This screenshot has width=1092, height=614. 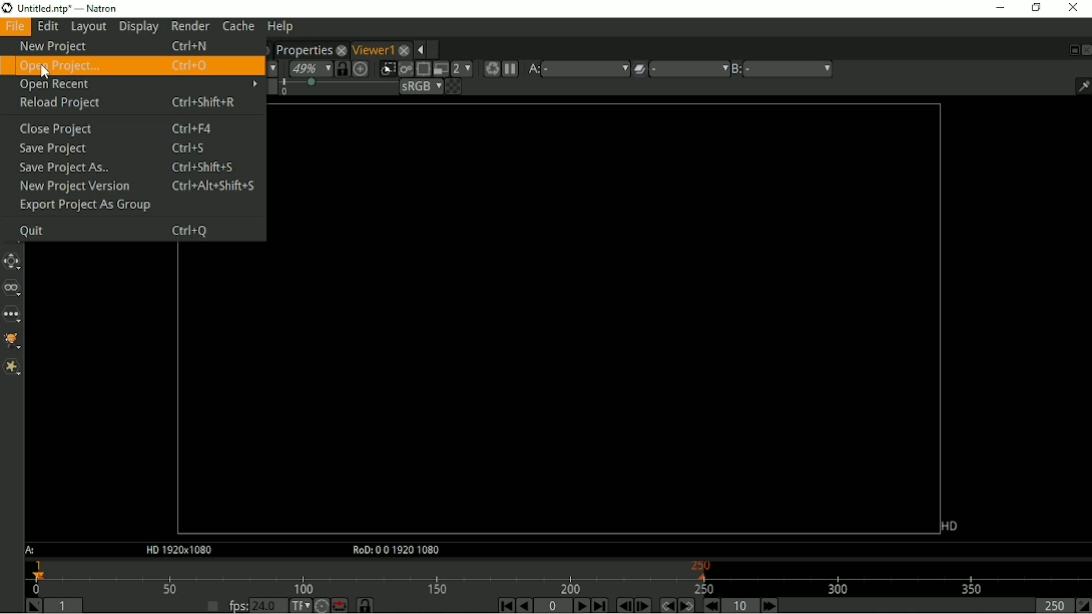 I want to click on Behaviour, so click(x=339, y=605).